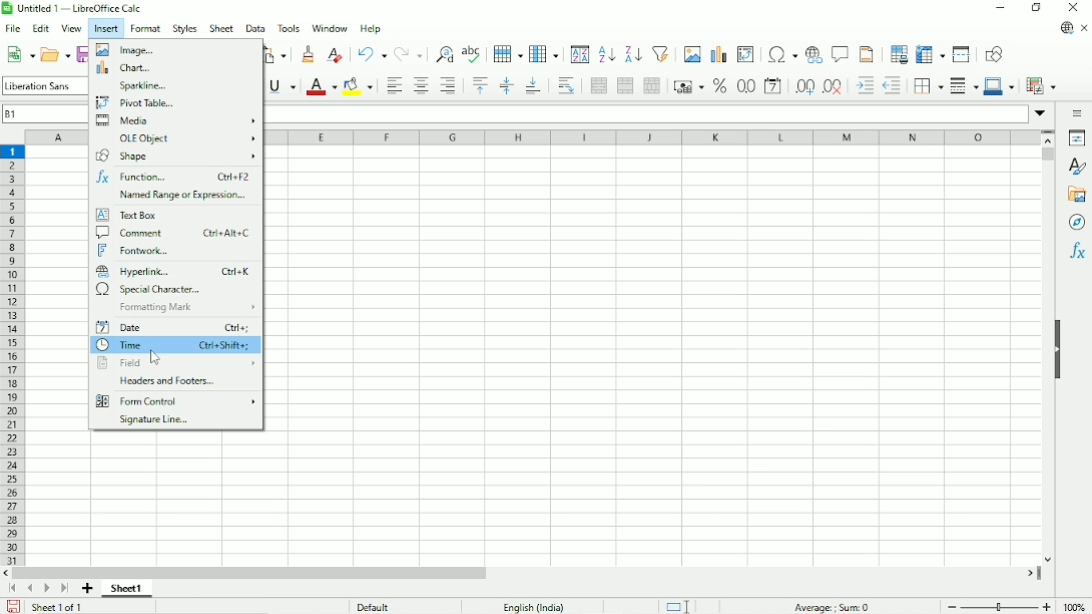  Describe the element at coordinates (127, 589) in the screenshot. I see `Sheet number` at that location.